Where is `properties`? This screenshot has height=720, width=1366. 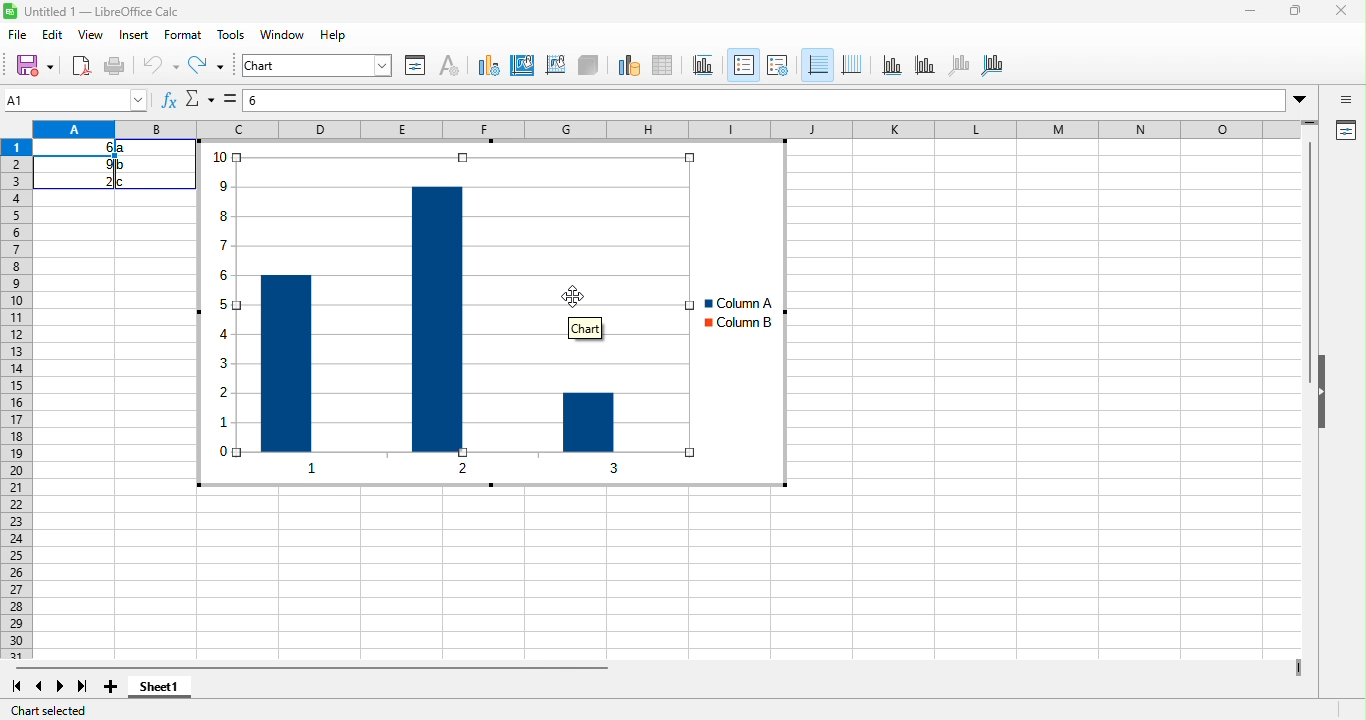
properties is located at coordinates (1346, 131).